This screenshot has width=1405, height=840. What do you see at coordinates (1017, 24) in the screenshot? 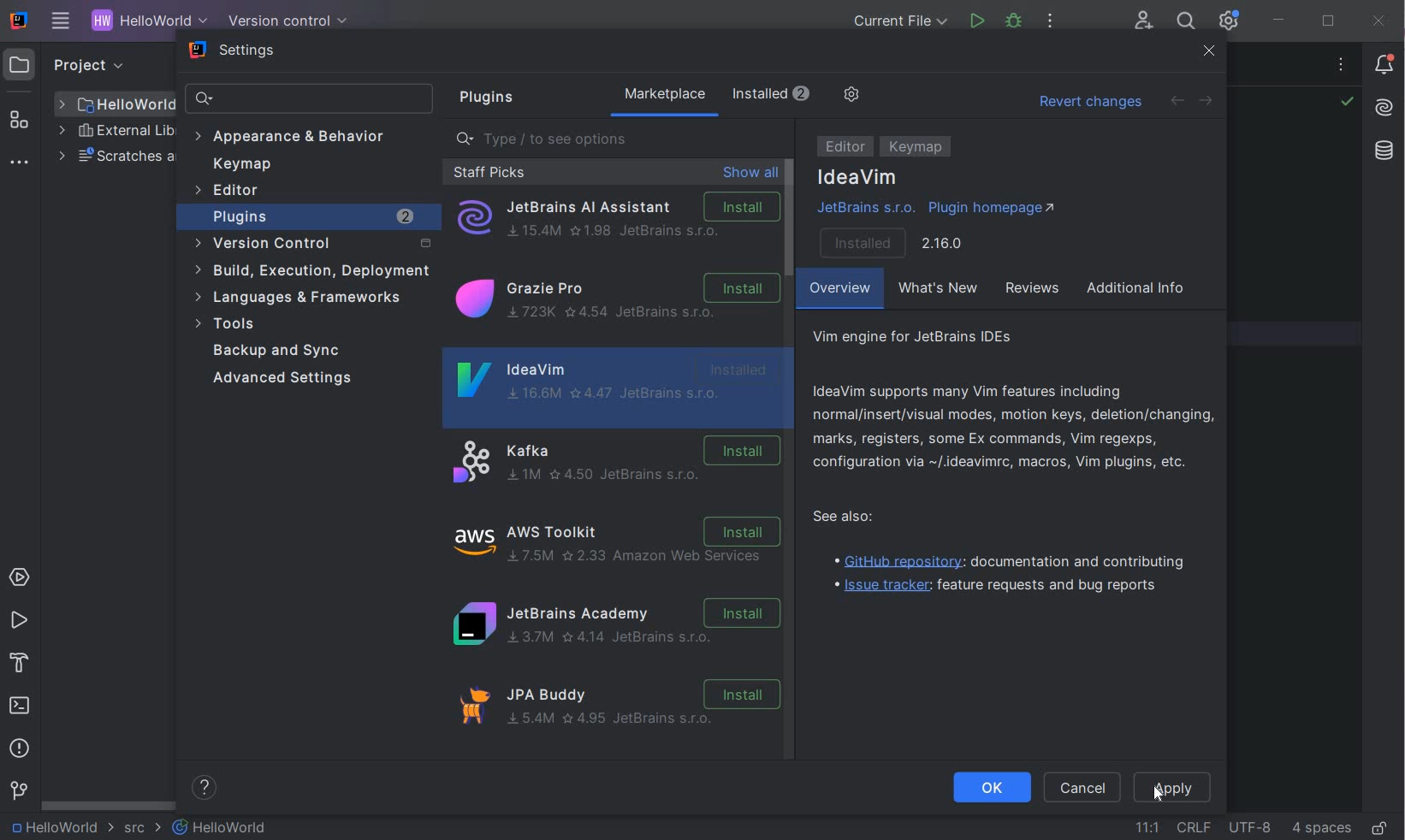
I see `DEBUG` at bounding box center [1017, 24].